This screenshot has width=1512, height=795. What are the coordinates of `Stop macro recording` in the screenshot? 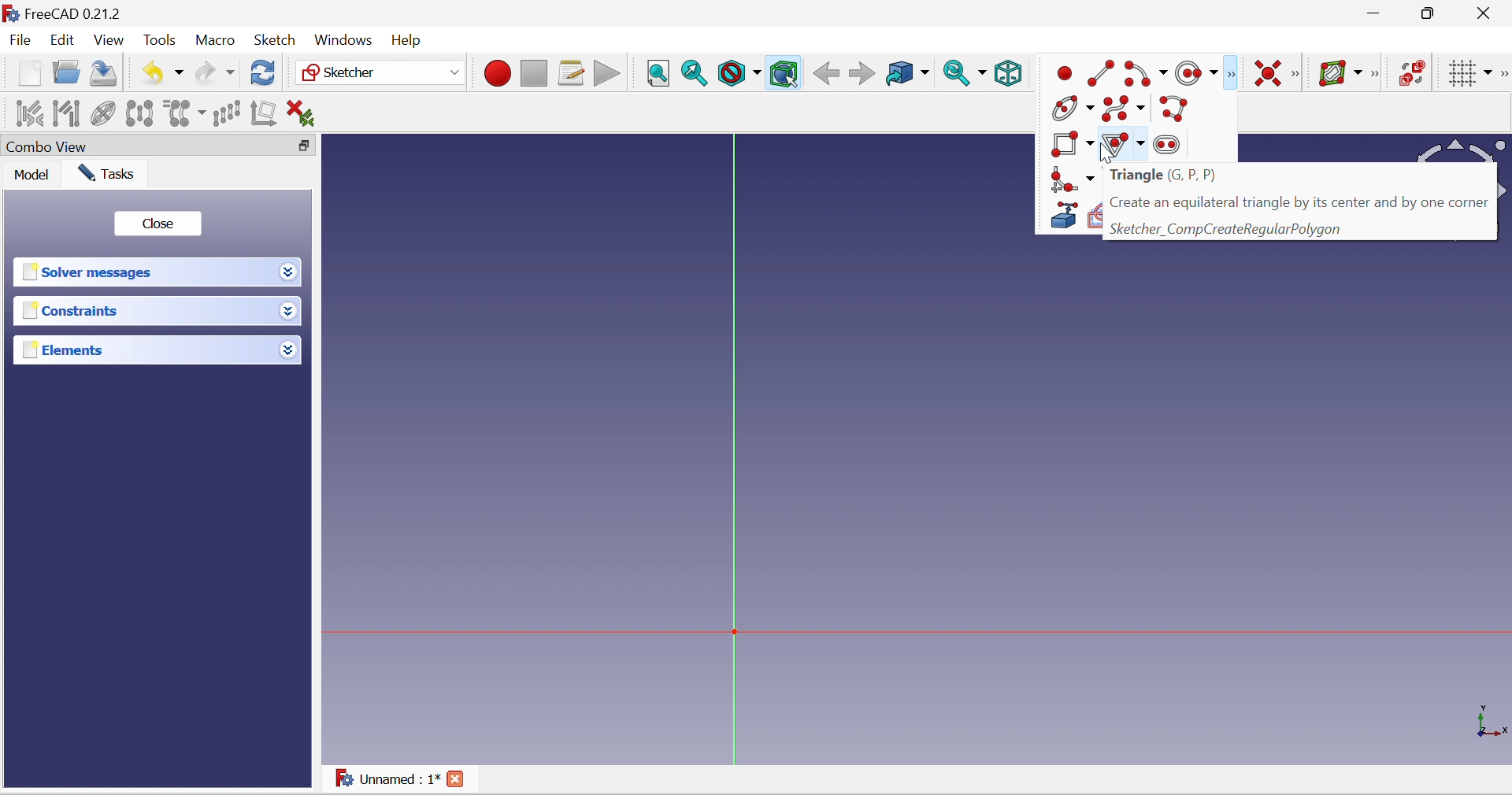 It's located at (534, 72).